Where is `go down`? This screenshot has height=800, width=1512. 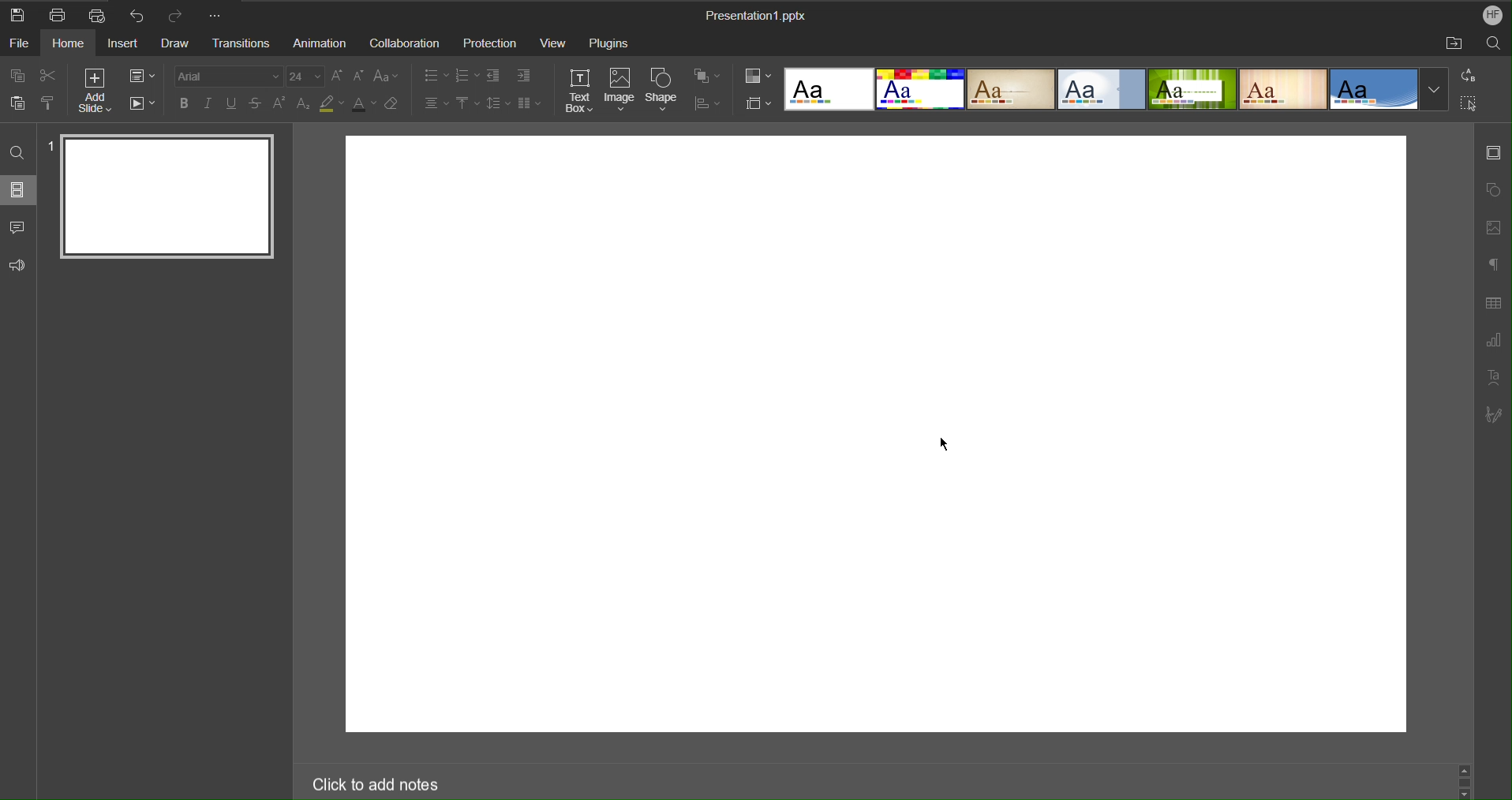
go down is located at coordinates (1465, 794).